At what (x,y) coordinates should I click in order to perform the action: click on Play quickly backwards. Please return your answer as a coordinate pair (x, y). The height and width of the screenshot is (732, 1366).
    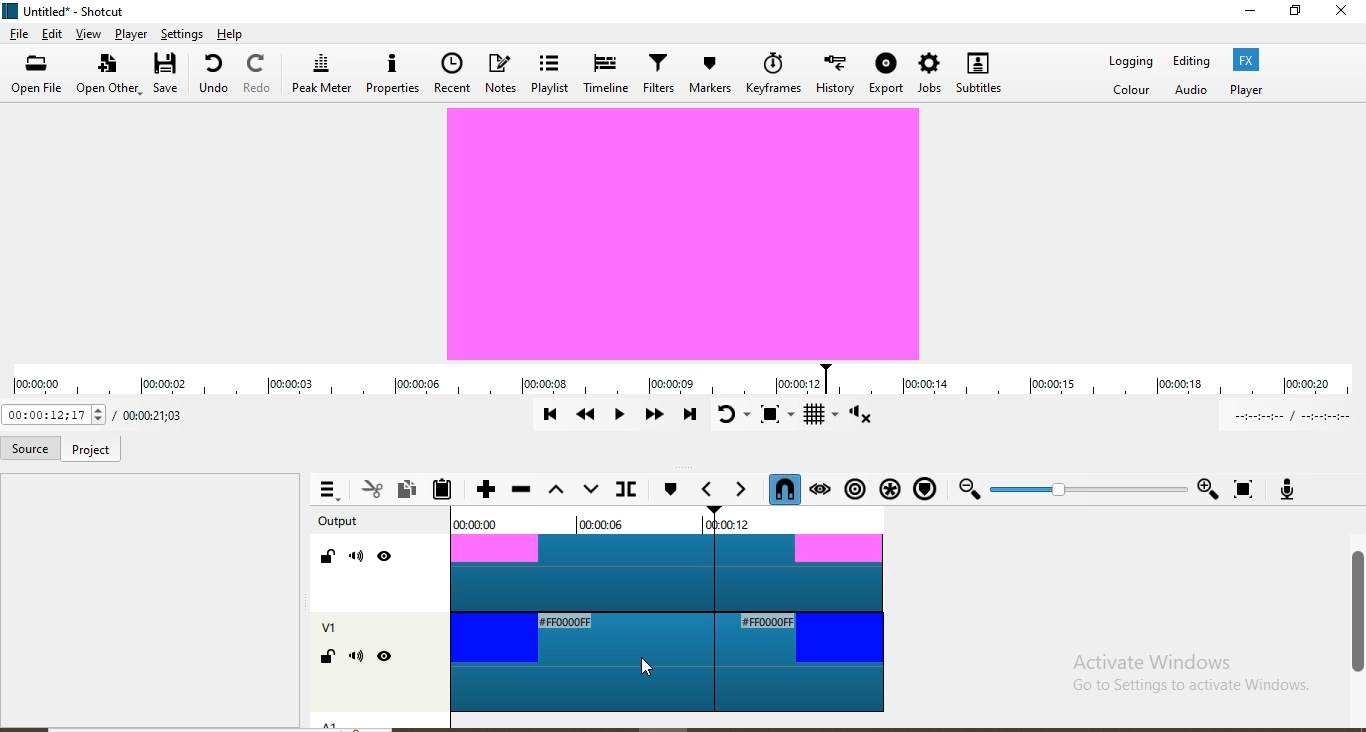
    Looking at the image, I should click on (582, 414).